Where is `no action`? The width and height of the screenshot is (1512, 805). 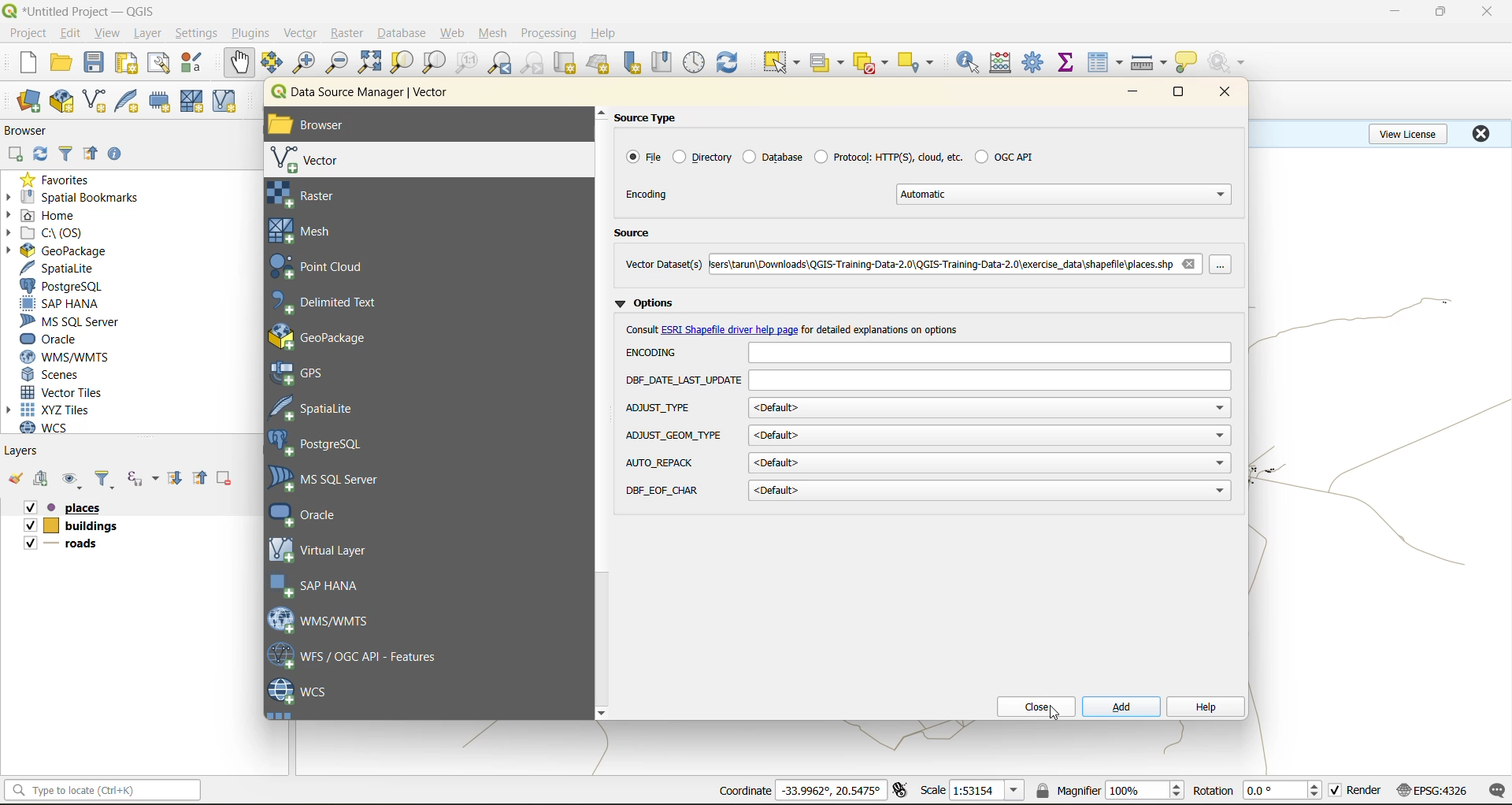 no action is located at coordinates (1229, 62).